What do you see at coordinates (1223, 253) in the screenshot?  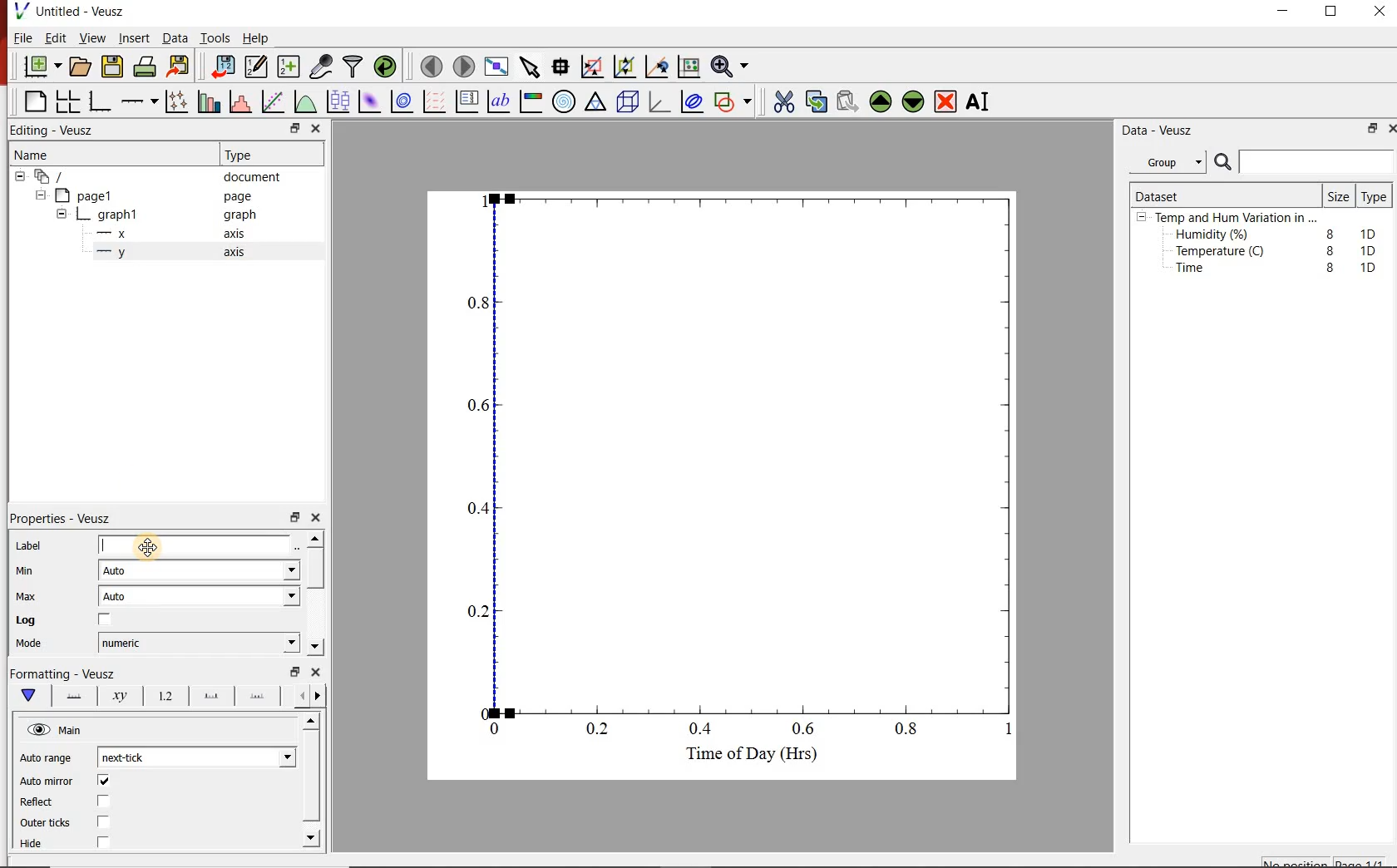 I see `Temperature (C)` at bounding box center [1223, 253].